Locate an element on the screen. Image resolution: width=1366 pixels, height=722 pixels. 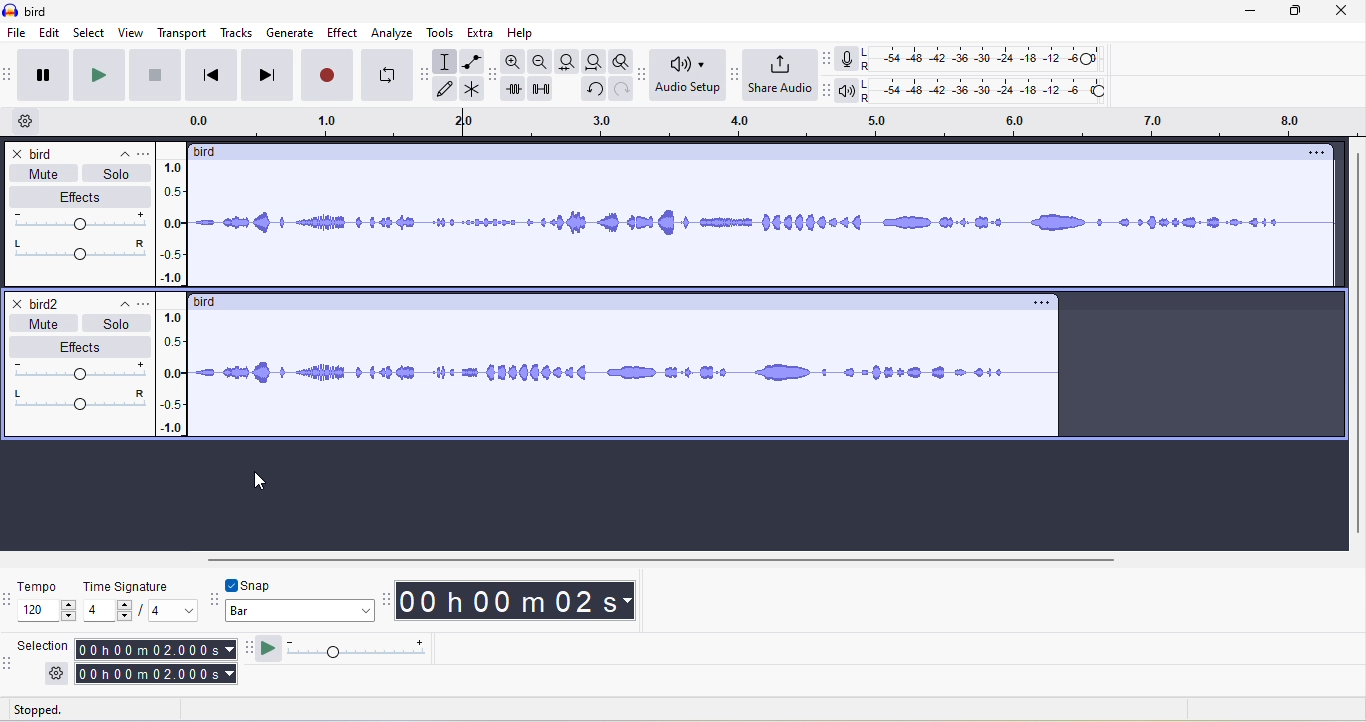
play at speed is located at coordinates (355, 652).